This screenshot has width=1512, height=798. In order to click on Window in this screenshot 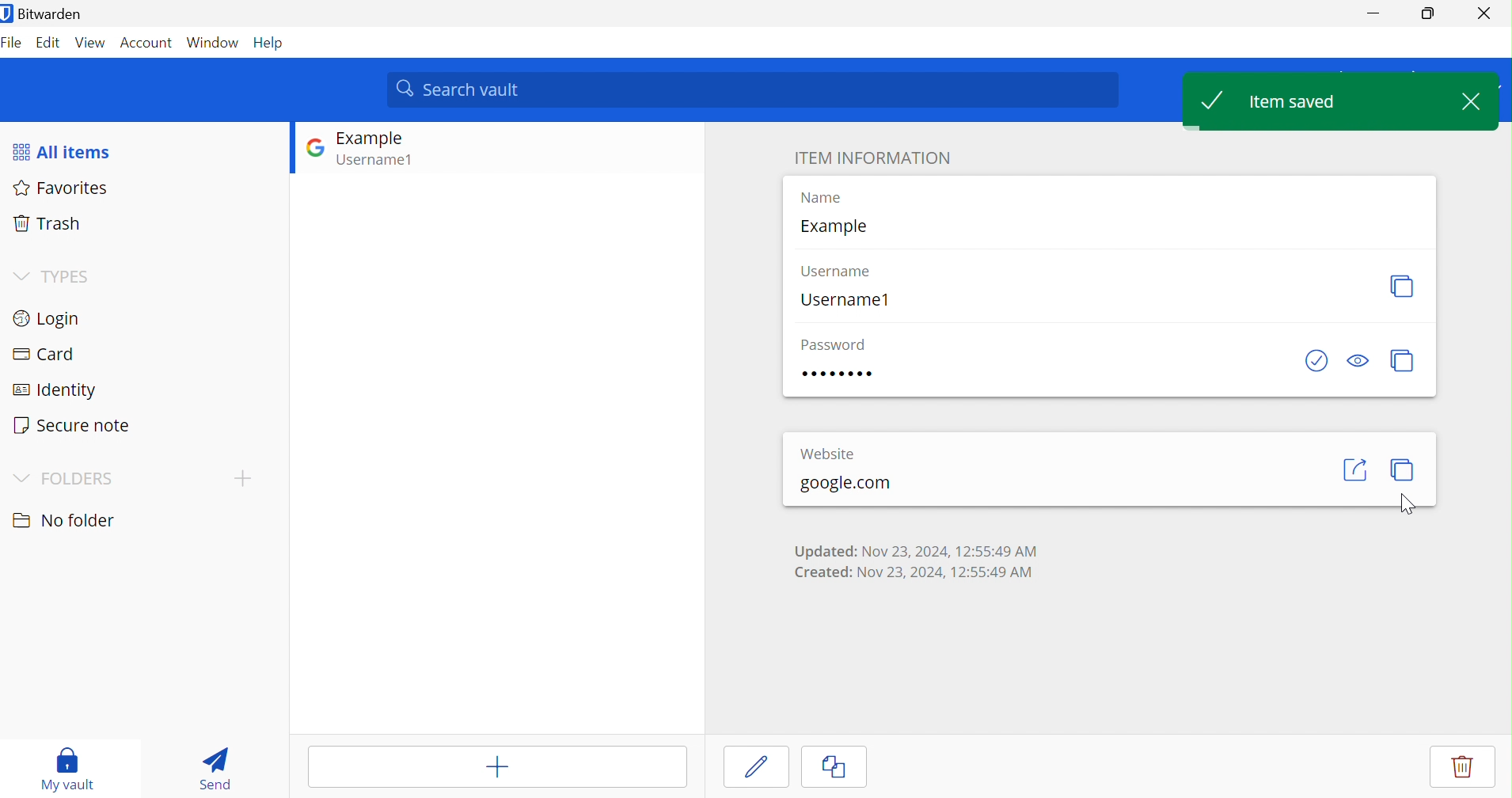, I will do `click(213, 42)`.